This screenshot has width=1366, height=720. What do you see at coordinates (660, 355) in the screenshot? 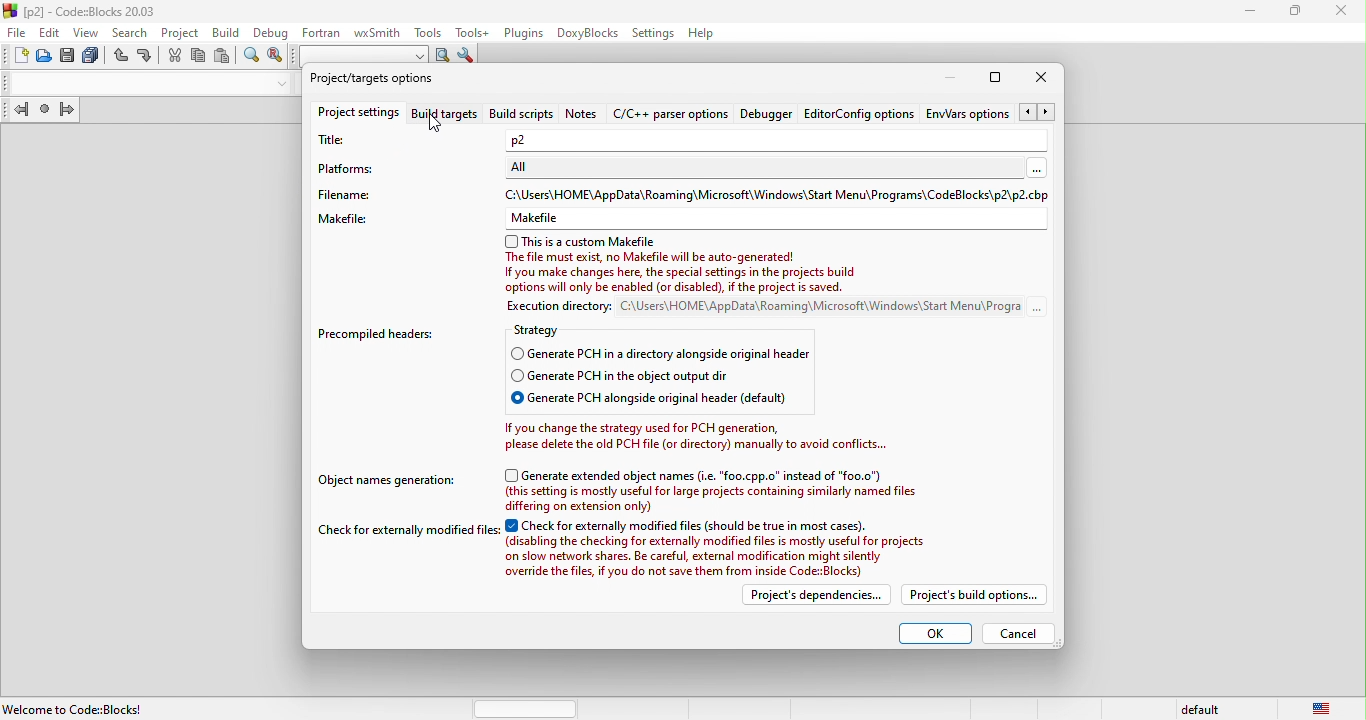
I see `generate pch in a directory alongside original headers` at bounding box center [660, 355].